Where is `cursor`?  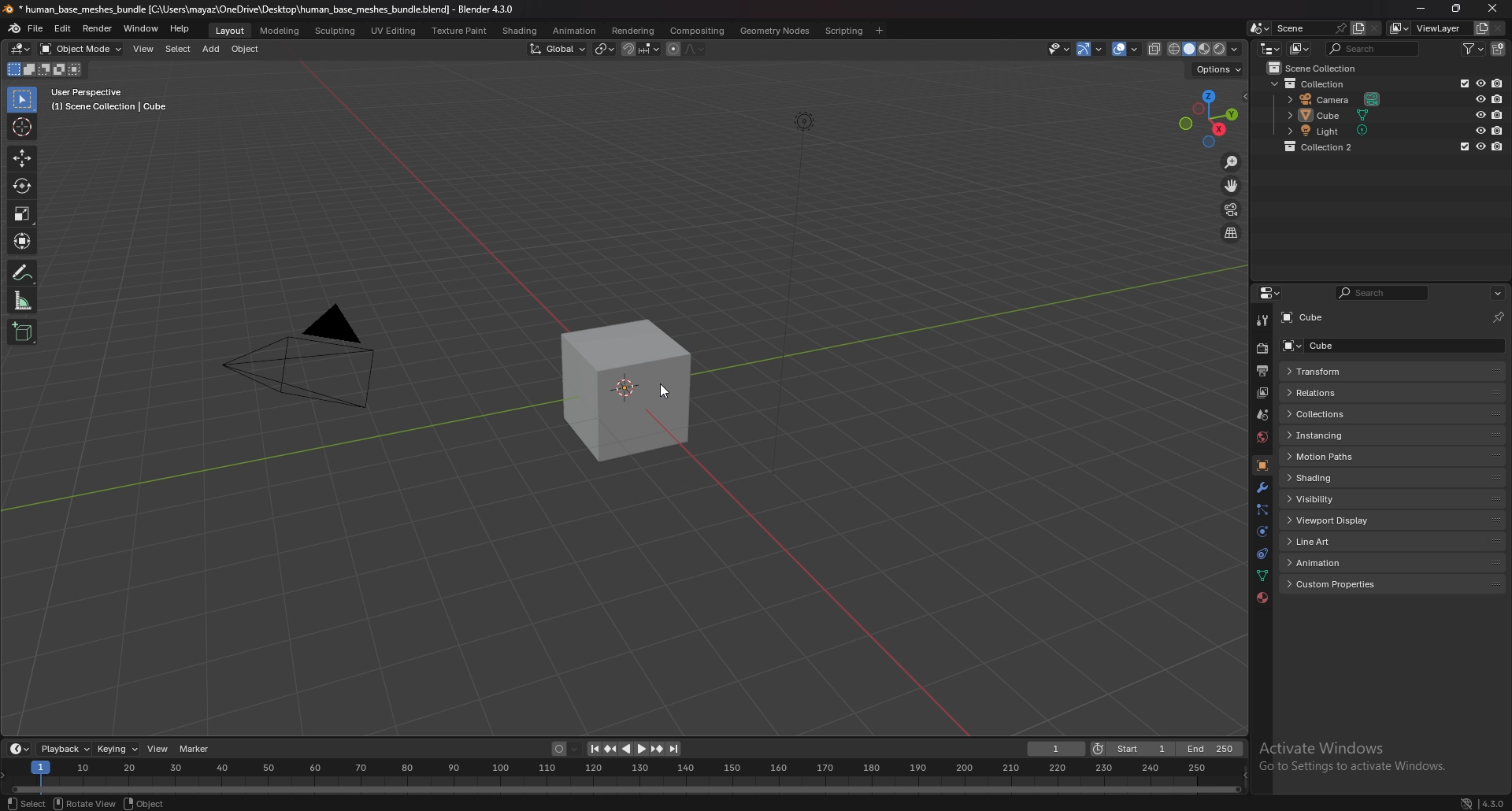 cursor is located at coordinates (663, 389).